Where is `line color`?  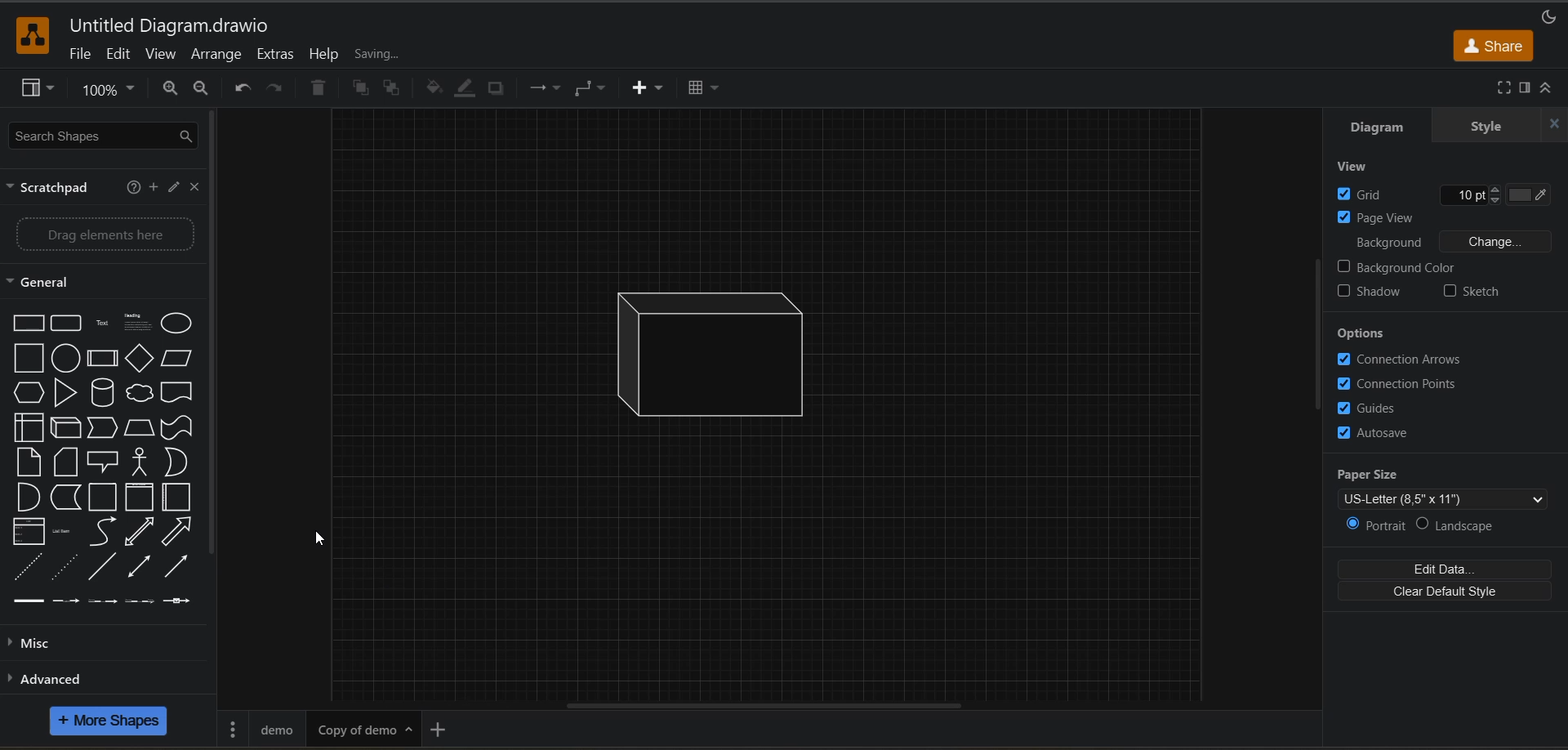
line color is located at coordinates (466, 89).